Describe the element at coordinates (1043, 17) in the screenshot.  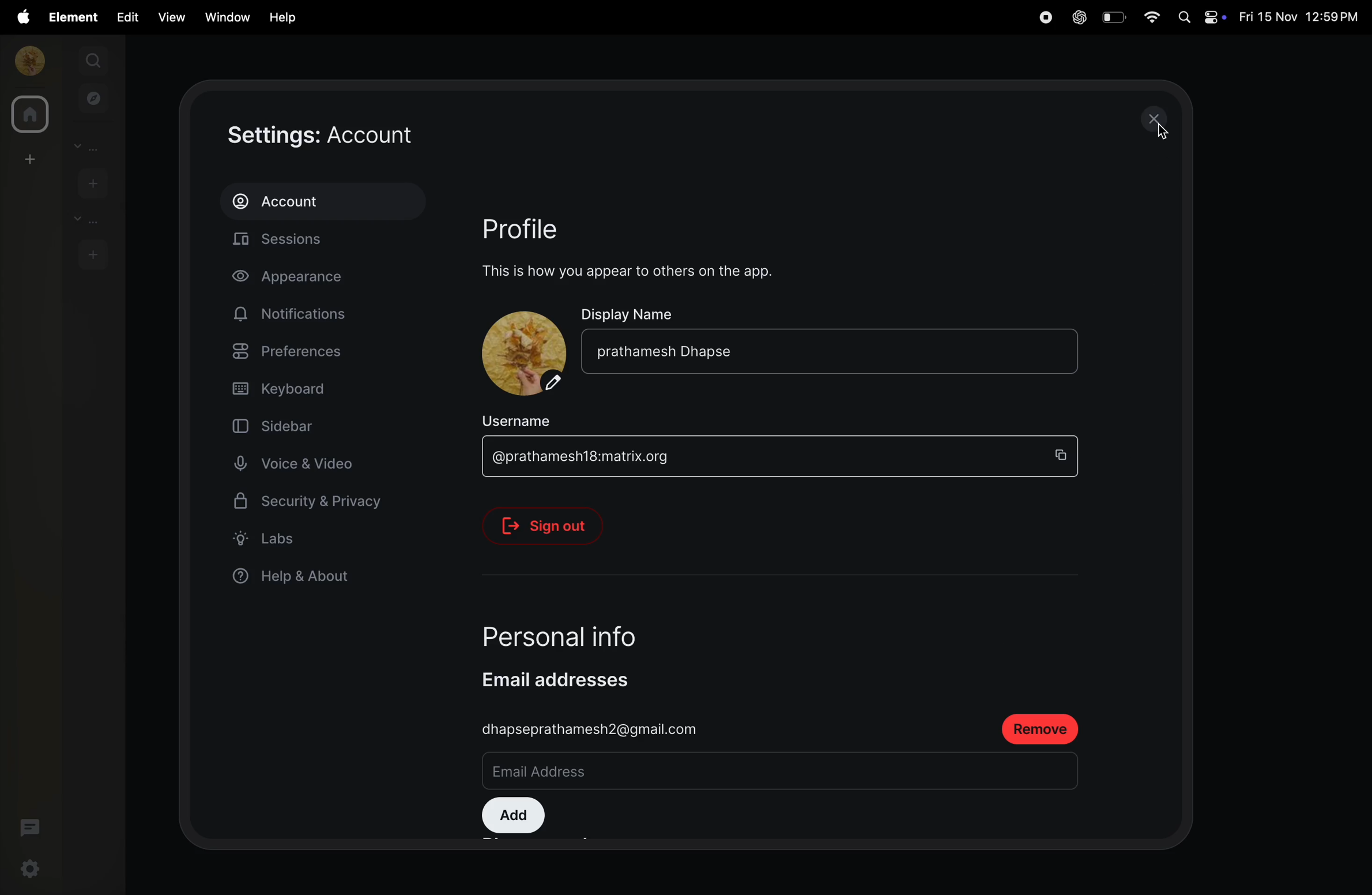
I see `record` at that location.